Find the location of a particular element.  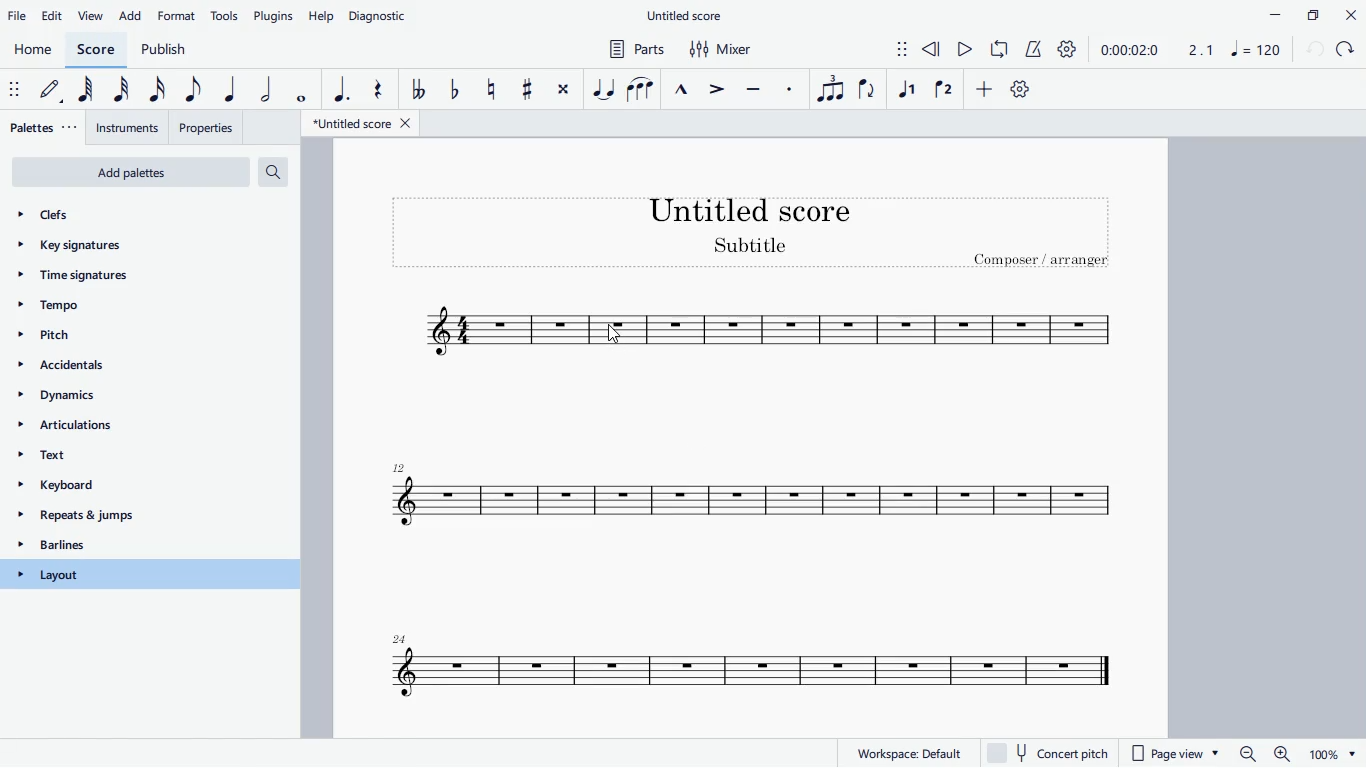

text is located at coordinates (141, 459).